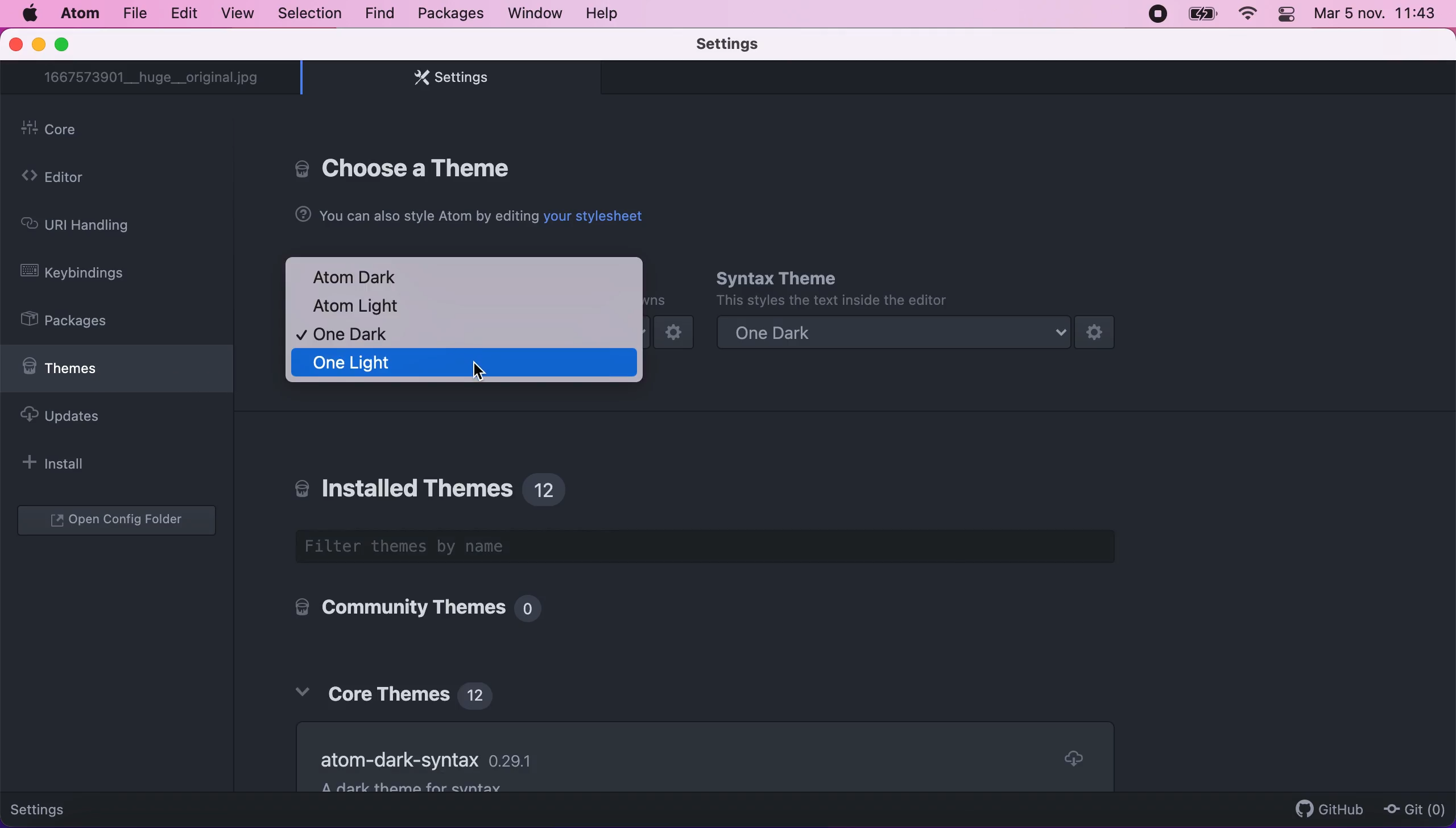 Image resolution: width=1456 pixels, height=828 pixels. Describe the element at coordinates (90, 226) in the screenshot. I see `uri handling` at that location.